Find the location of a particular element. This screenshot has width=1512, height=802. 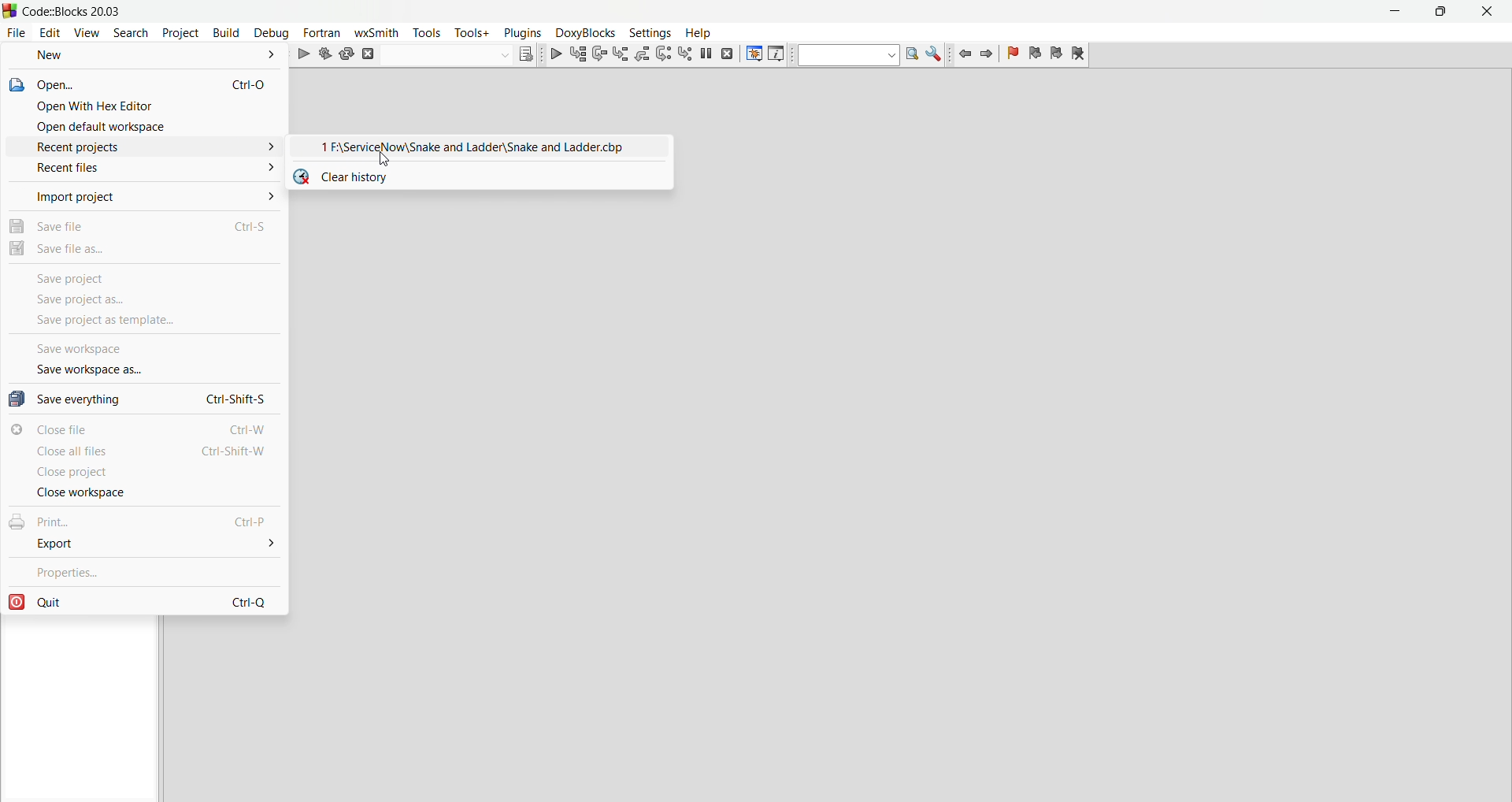

1 FA\ServiceNow\Snake and Ladder\Snake and Ladder.cop is located at coordinates (482, 145).